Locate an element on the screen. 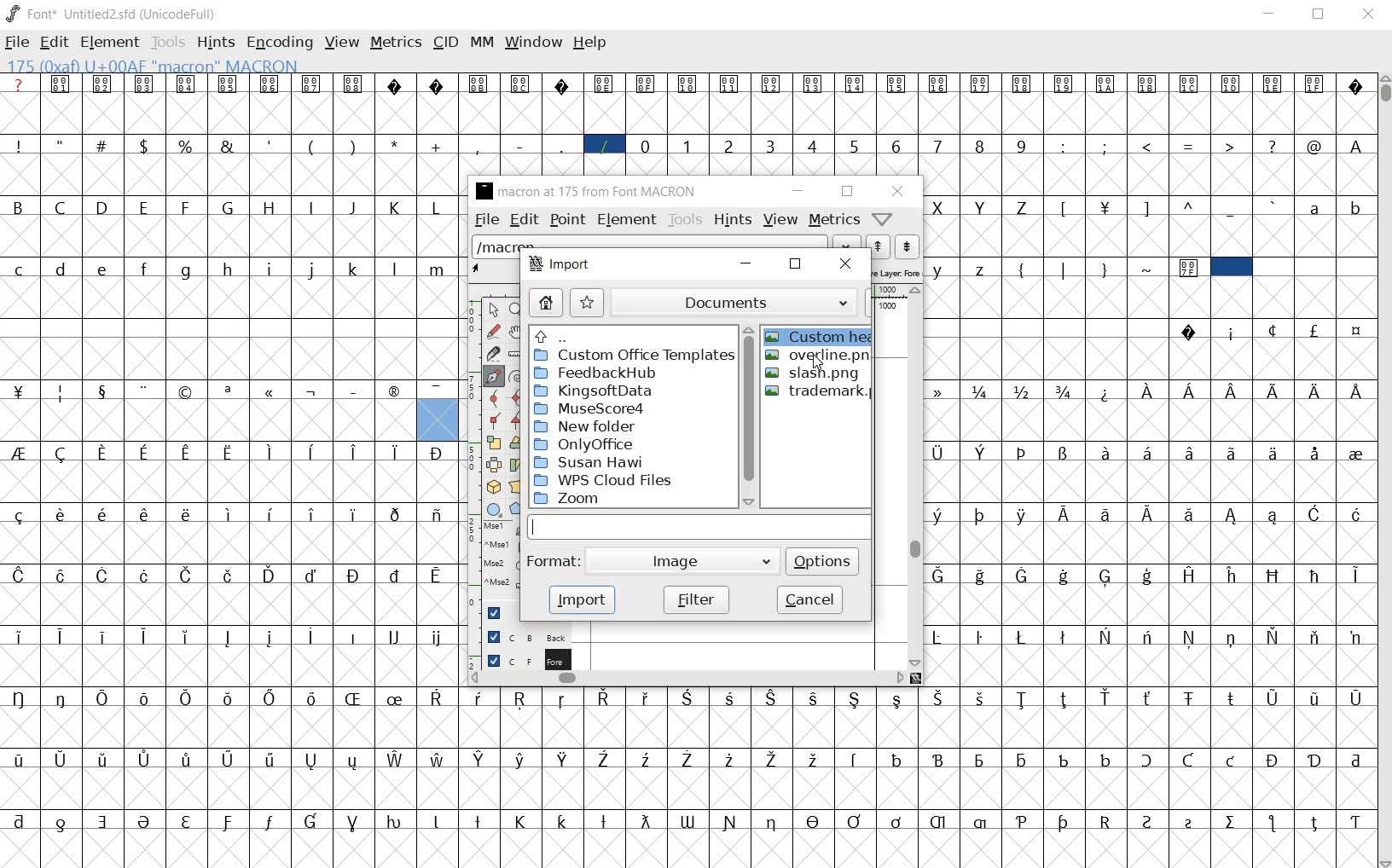 Image resolution: width=1392 pixels, height=868 pixels. Symbol is located at coordinates (815, 758).